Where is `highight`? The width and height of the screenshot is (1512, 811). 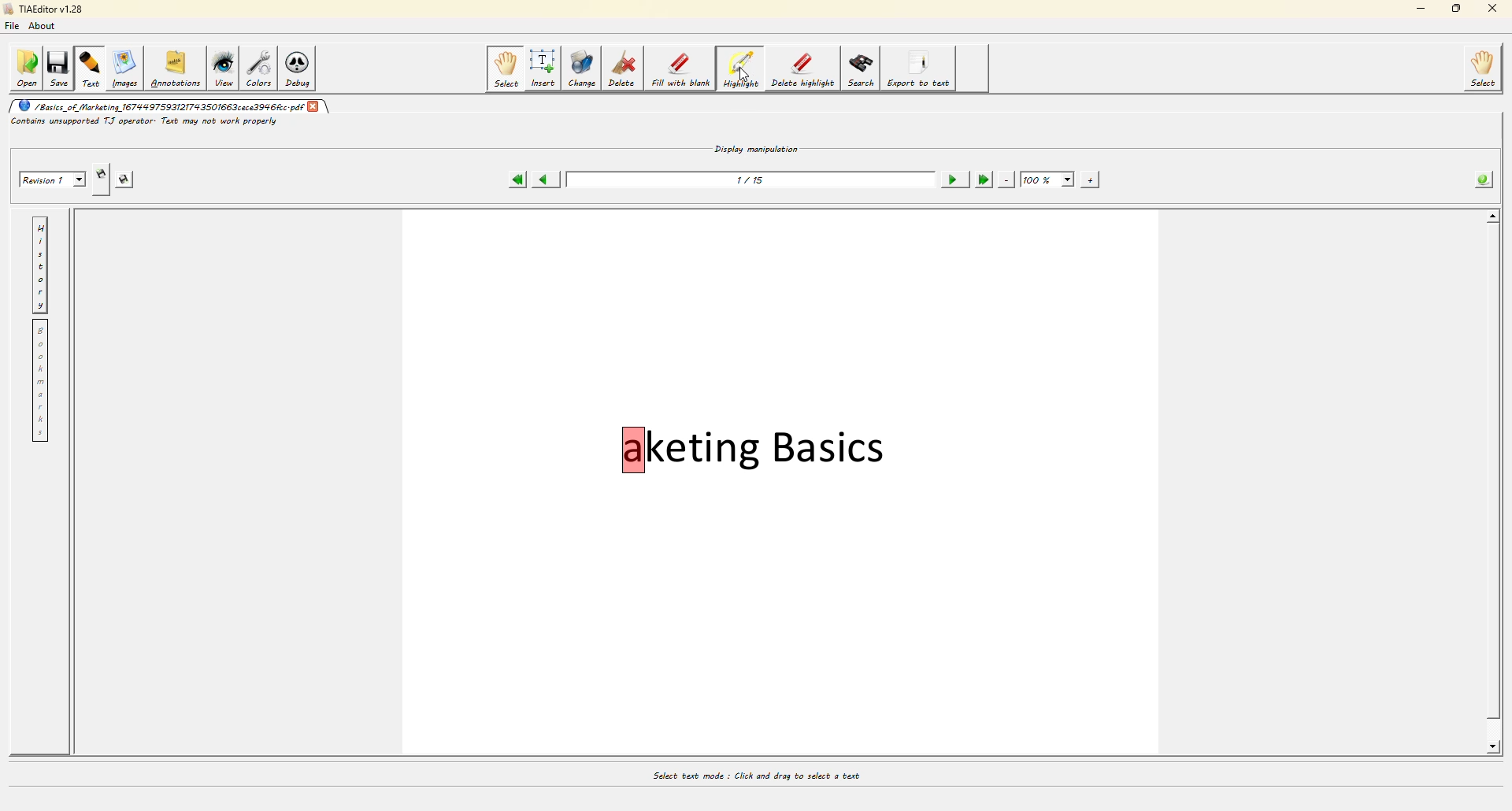
highight is located at coordinates (739, 69).